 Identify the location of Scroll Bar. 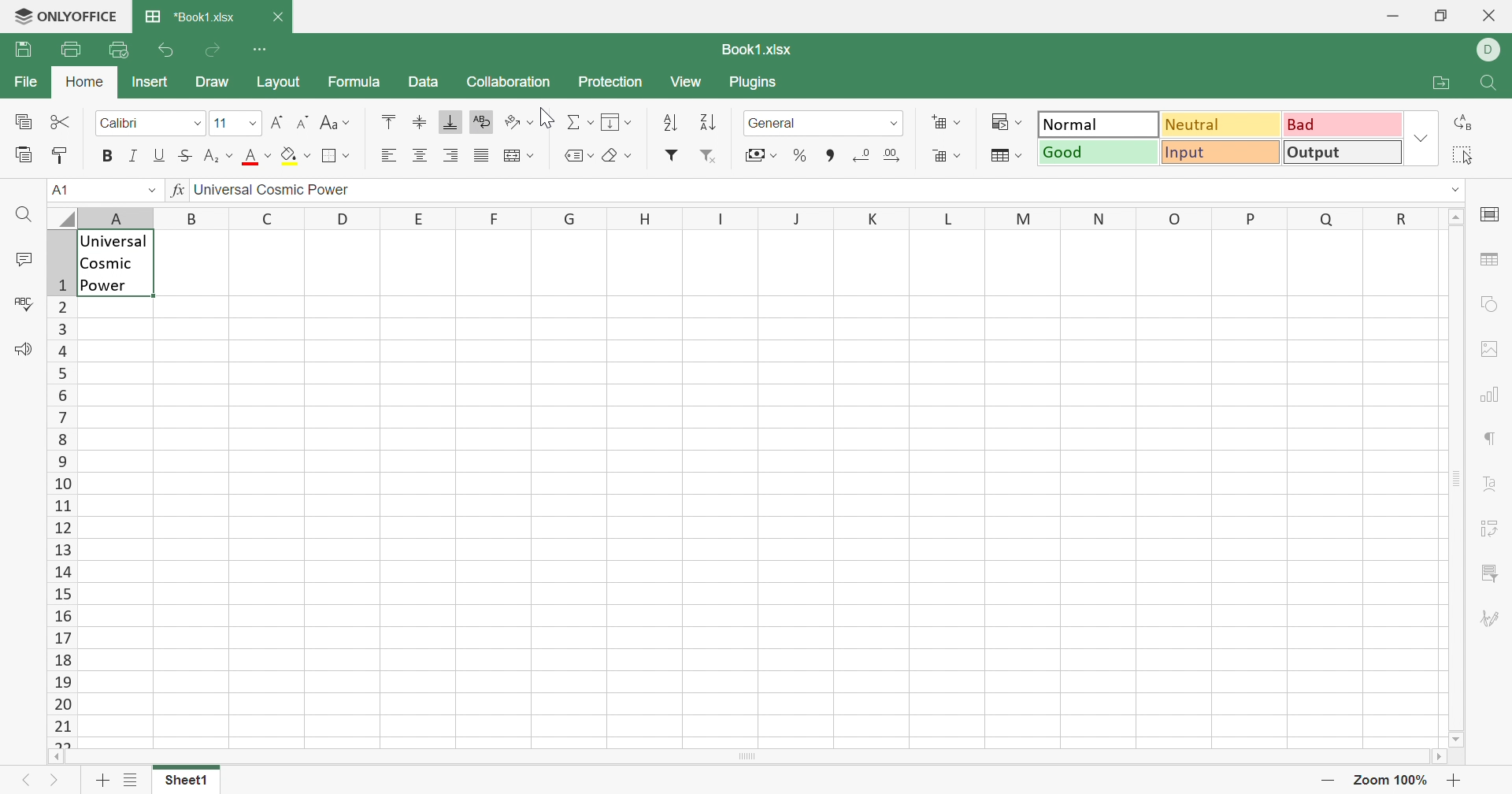
(747, 756).